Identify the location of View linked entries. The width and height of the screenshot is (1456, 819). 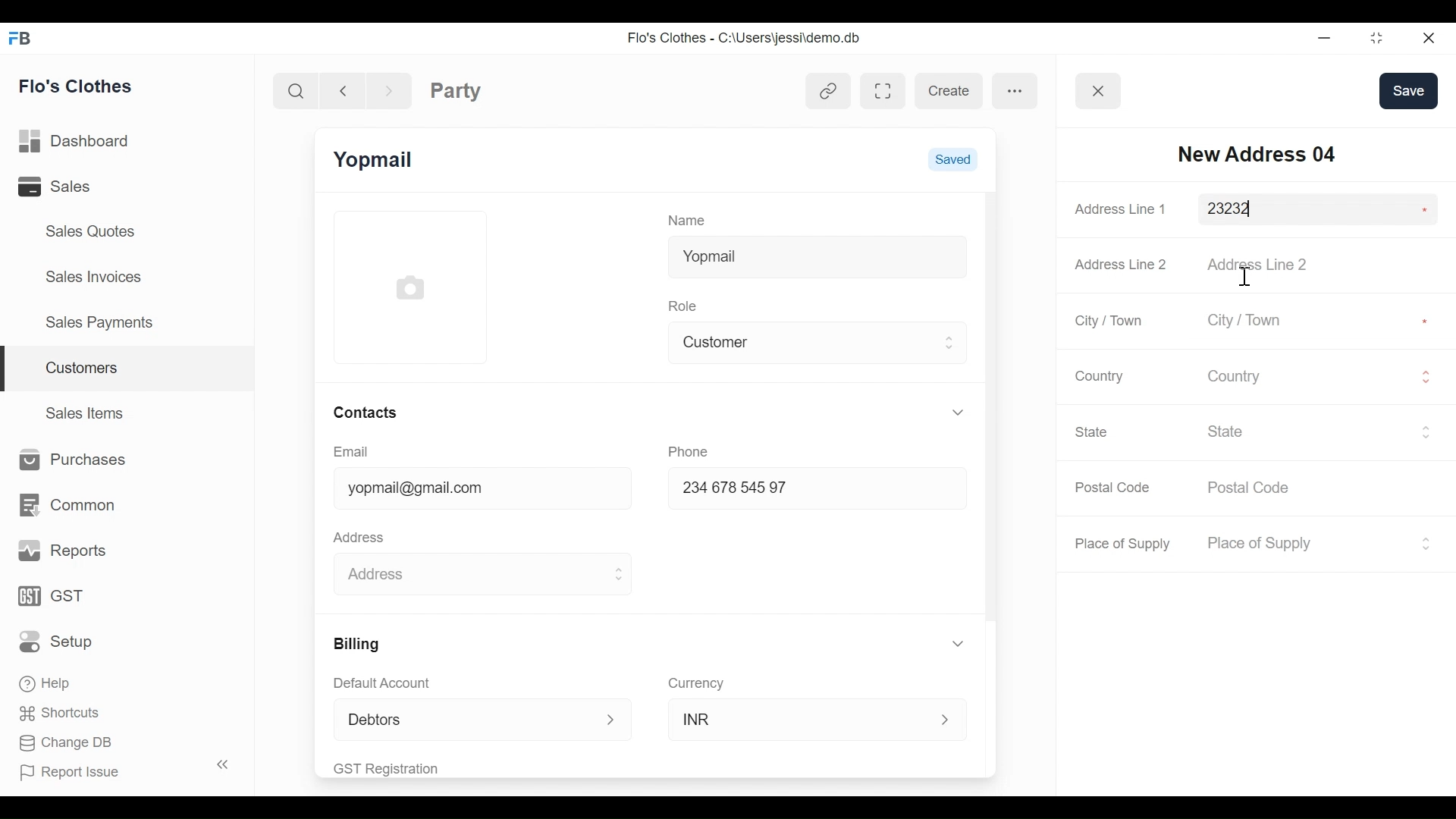
(828, 93).